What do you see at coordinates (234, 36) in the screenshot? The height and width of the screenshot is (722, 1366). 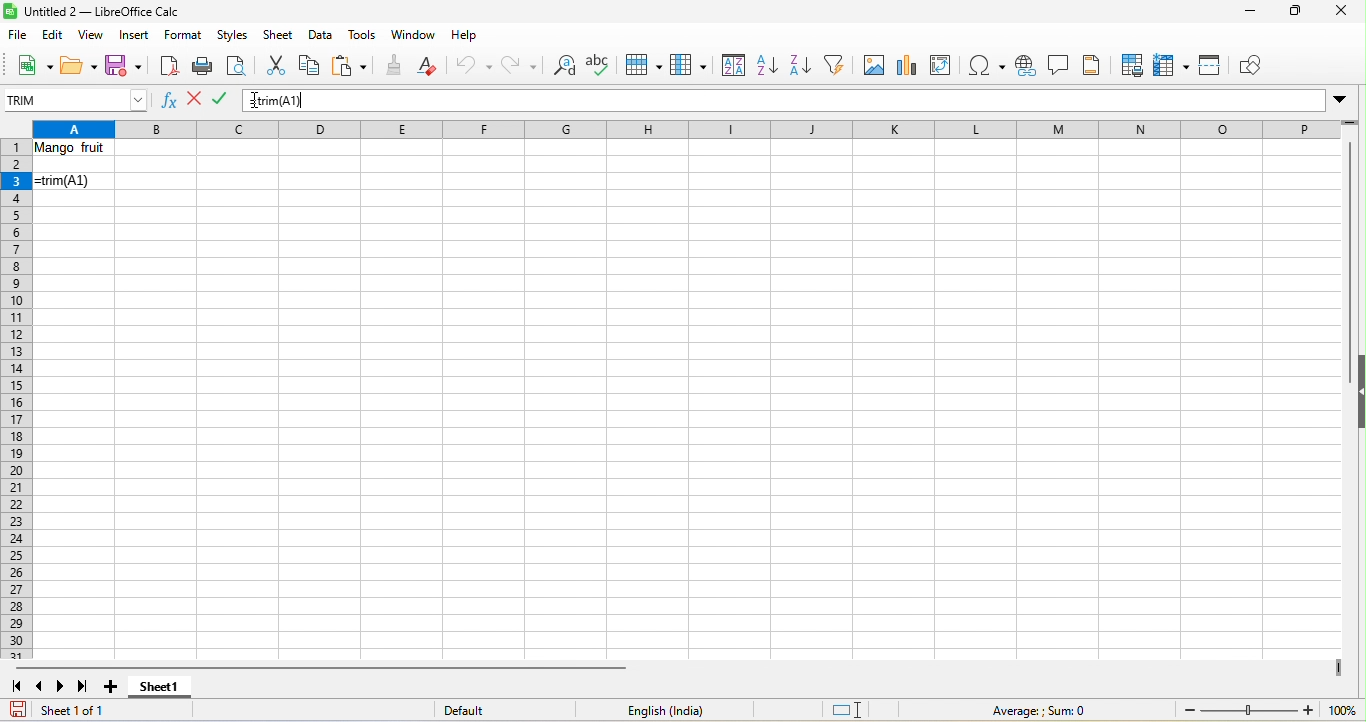 I see `styles` at bounding box center [234, 36].